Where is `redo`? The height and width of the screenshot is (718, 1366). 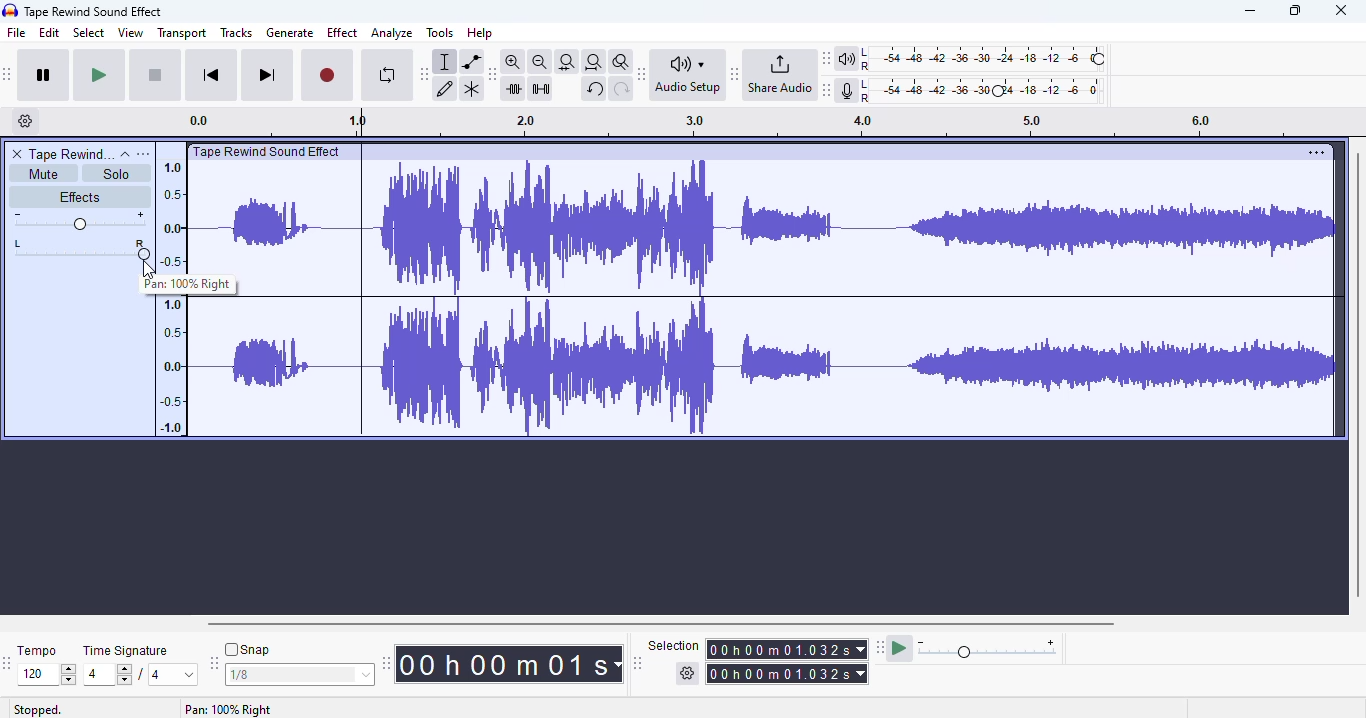 redo is located at coordinates (622, 90).